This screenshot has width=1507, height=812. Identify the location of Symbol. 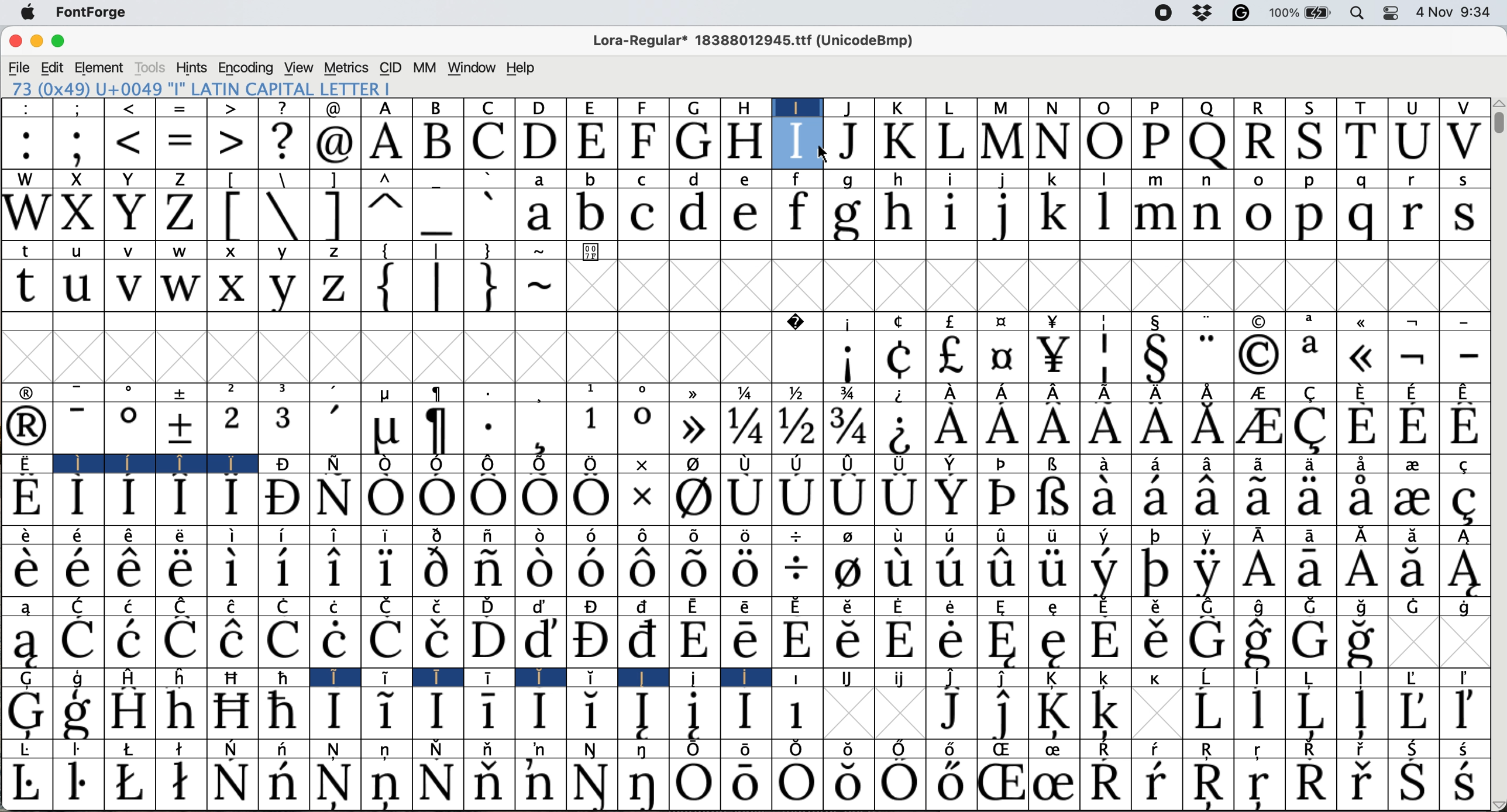
(228, 465).